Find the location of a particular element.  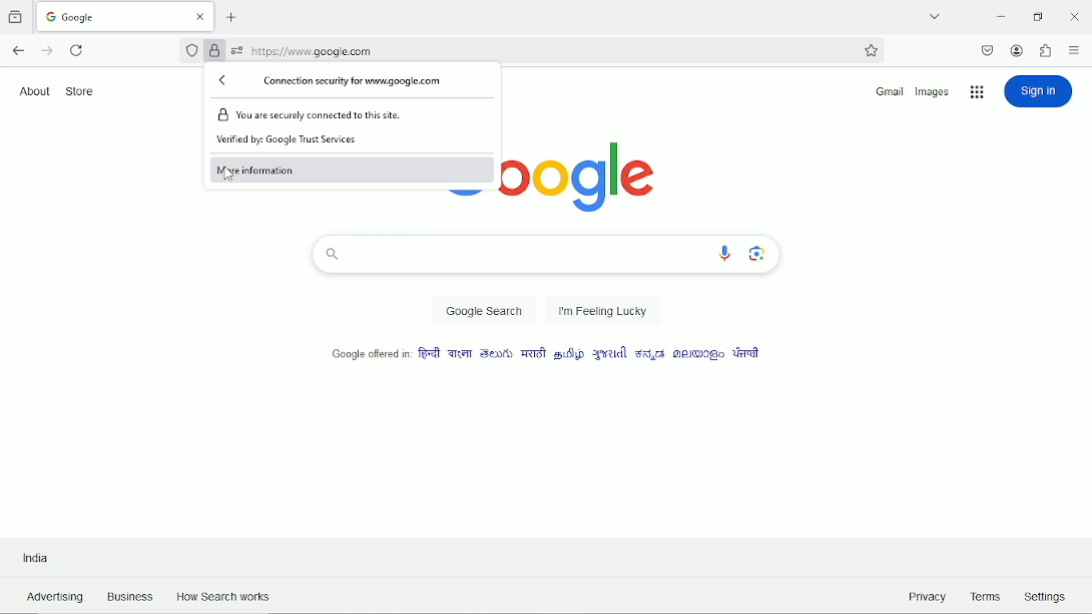

language is located at coordinates (460, 353).